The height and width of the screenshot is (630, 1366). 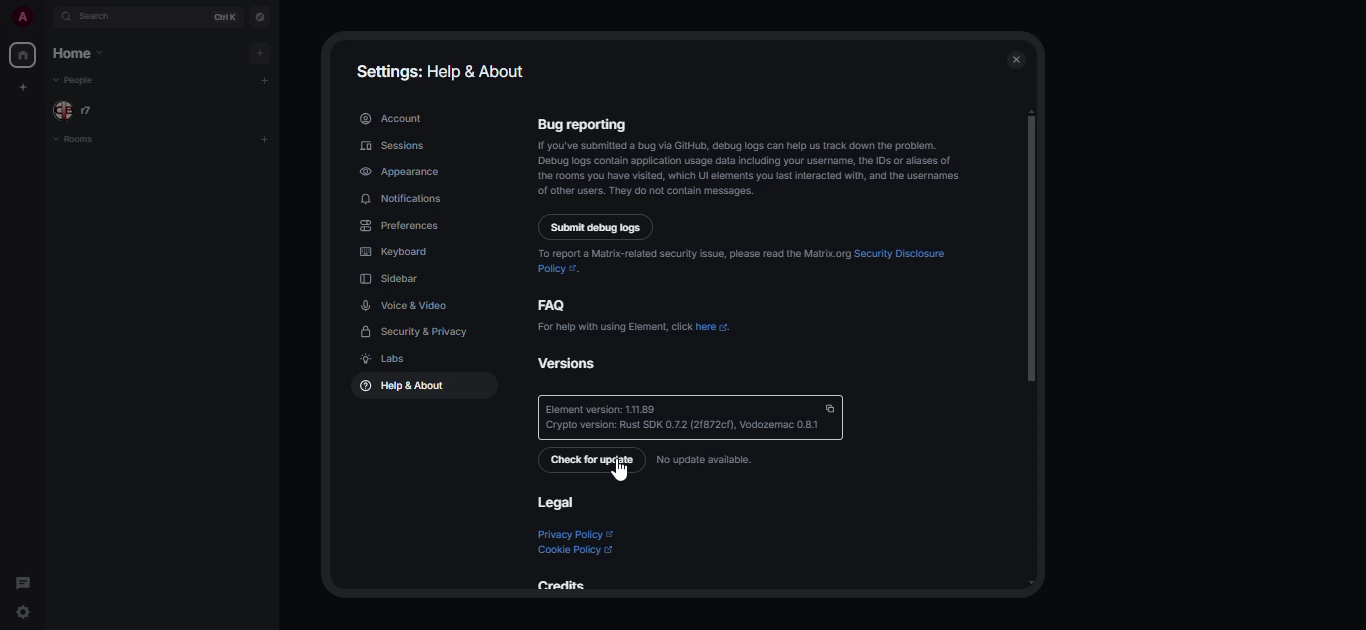 I want to click on people, so click(x=81, y=109).